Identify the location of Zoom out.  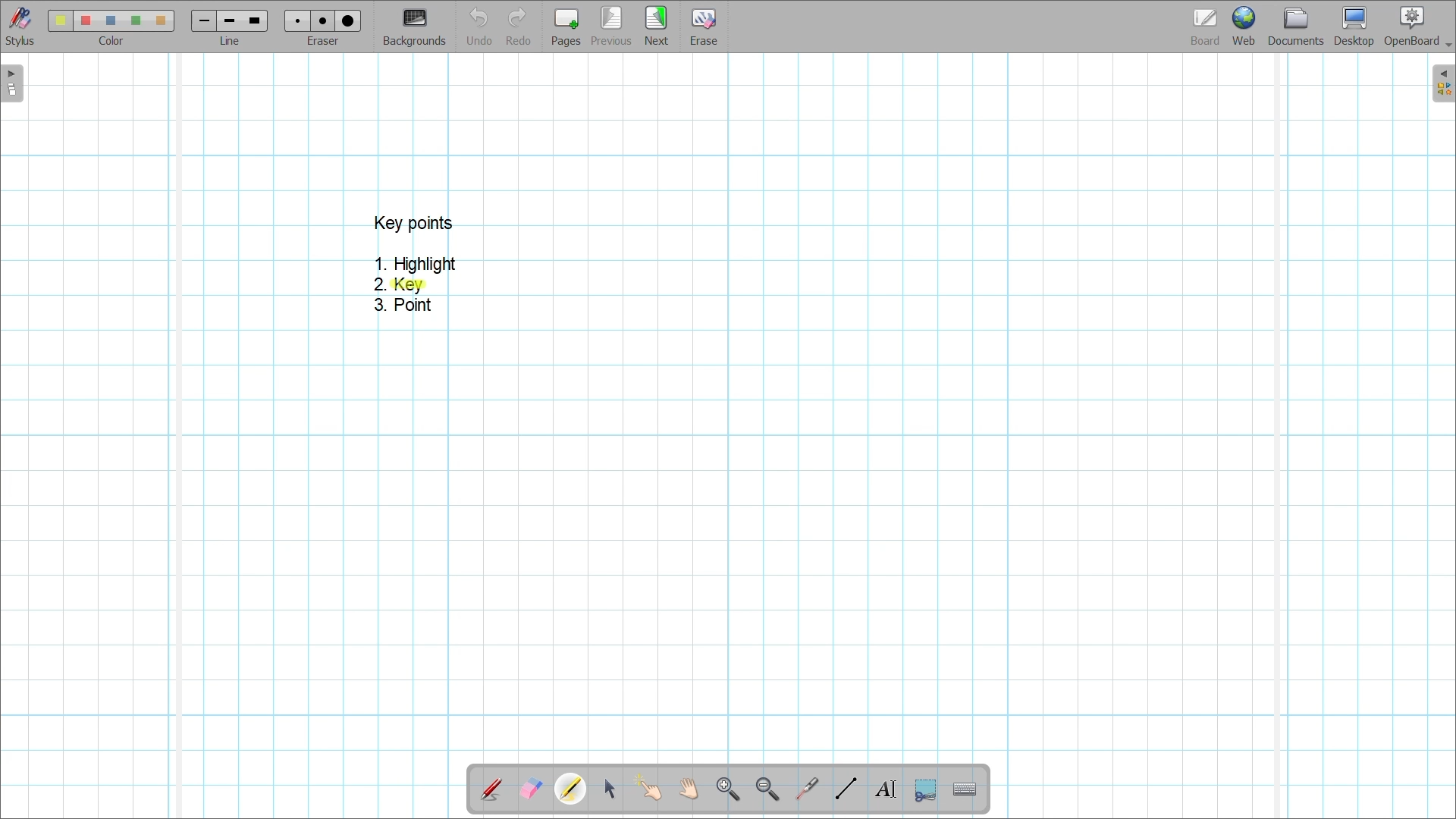
(768, 790).